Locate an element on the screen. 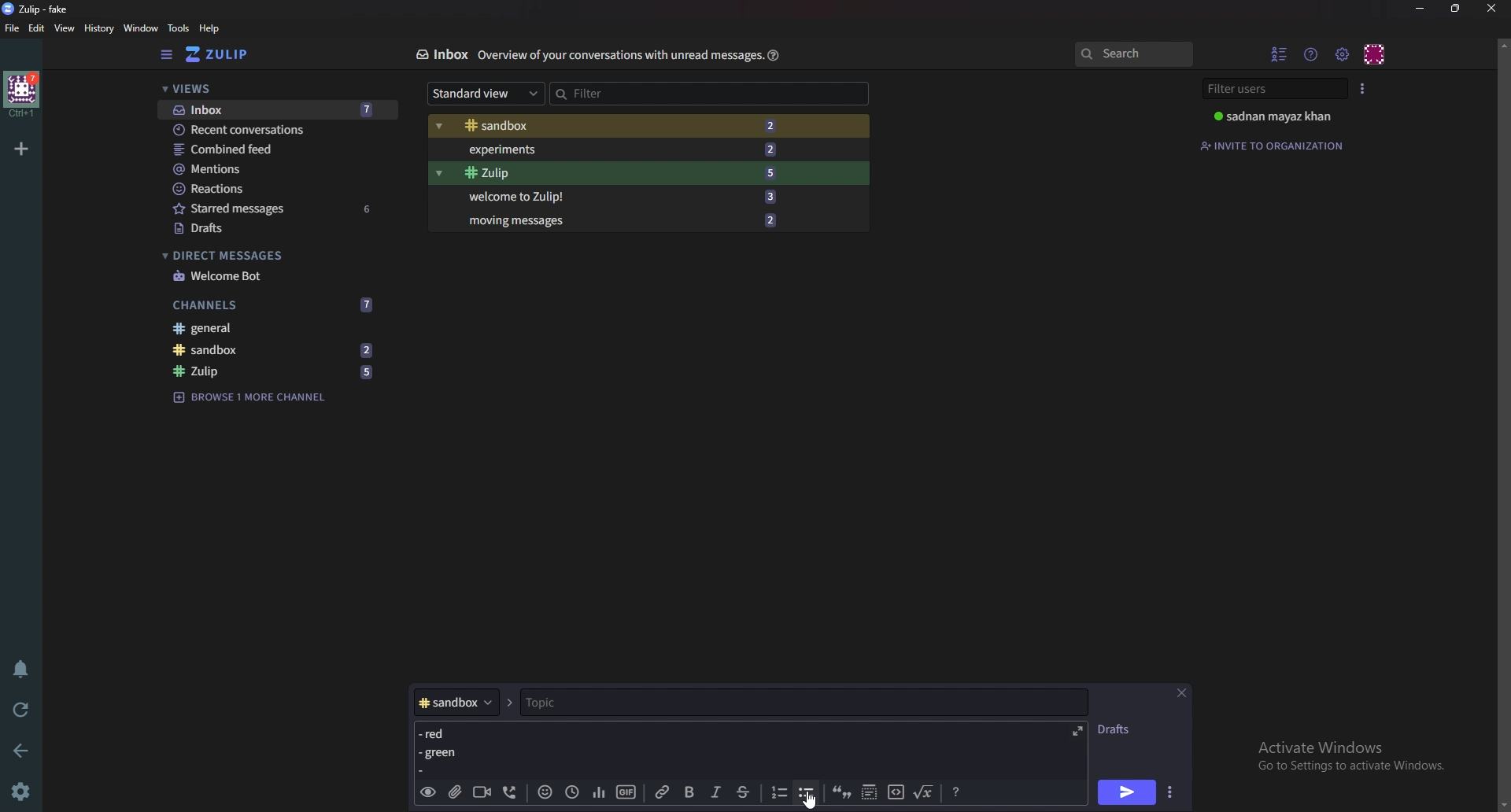 This screenshot has height=812, width=1511. Minimize is located at coordinates (1422, 9).